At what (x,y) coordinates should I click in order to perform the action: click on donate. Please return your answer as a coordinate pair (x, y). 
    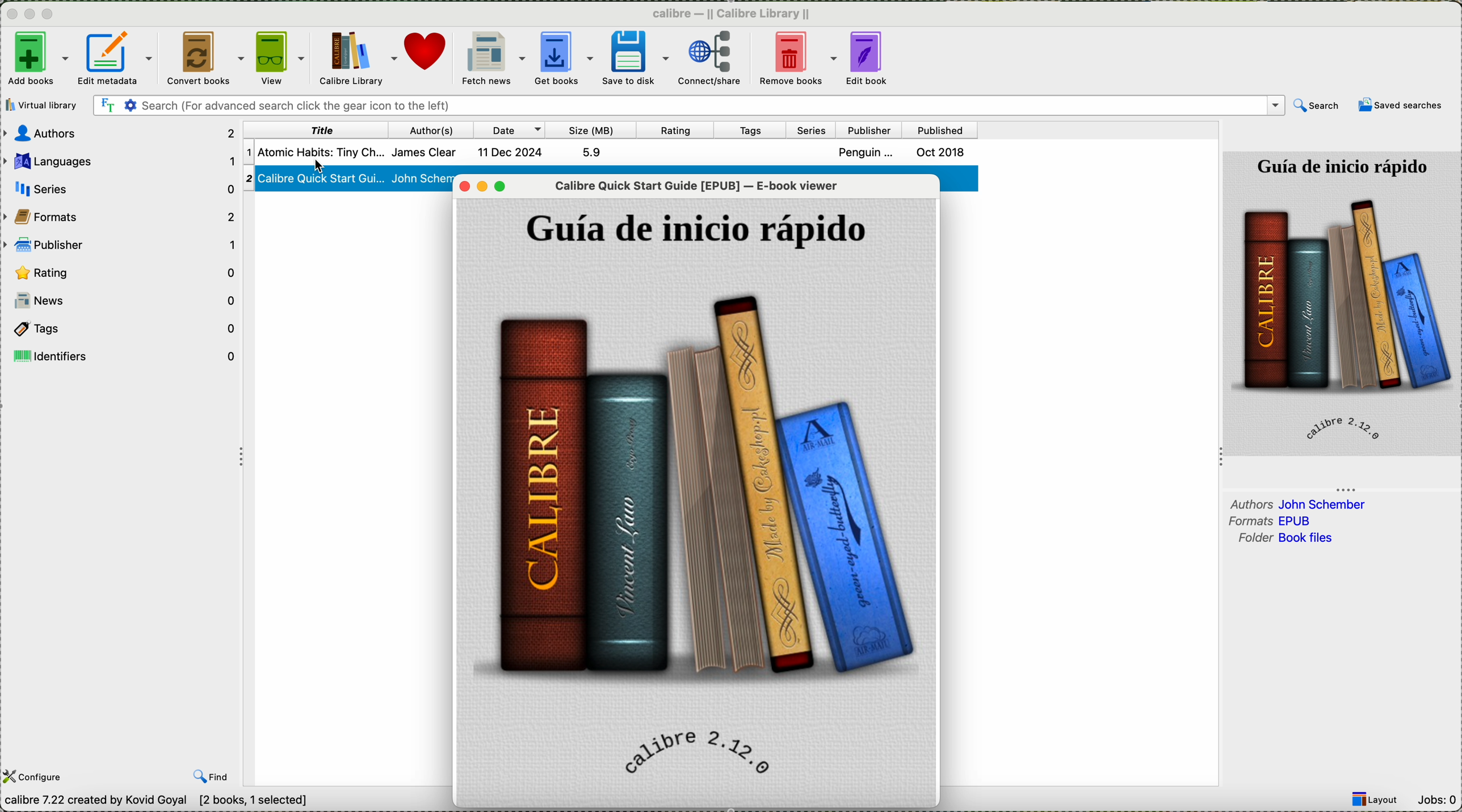
    Looking at the image, I should click on (427, 57).